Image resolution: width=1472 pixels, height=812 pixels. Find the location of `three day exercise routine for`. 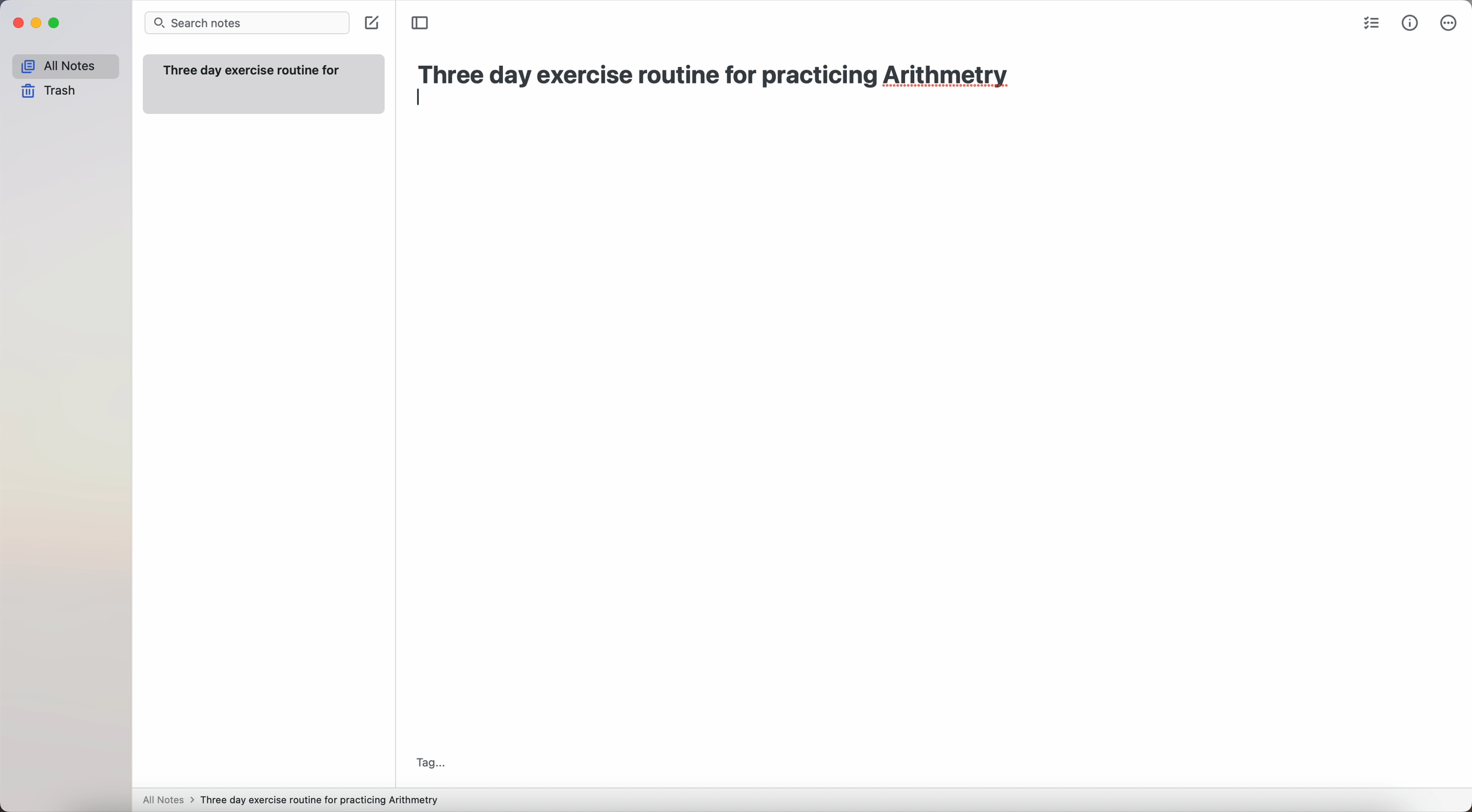

three day exercise routine for is located at coordinates (255, 70).